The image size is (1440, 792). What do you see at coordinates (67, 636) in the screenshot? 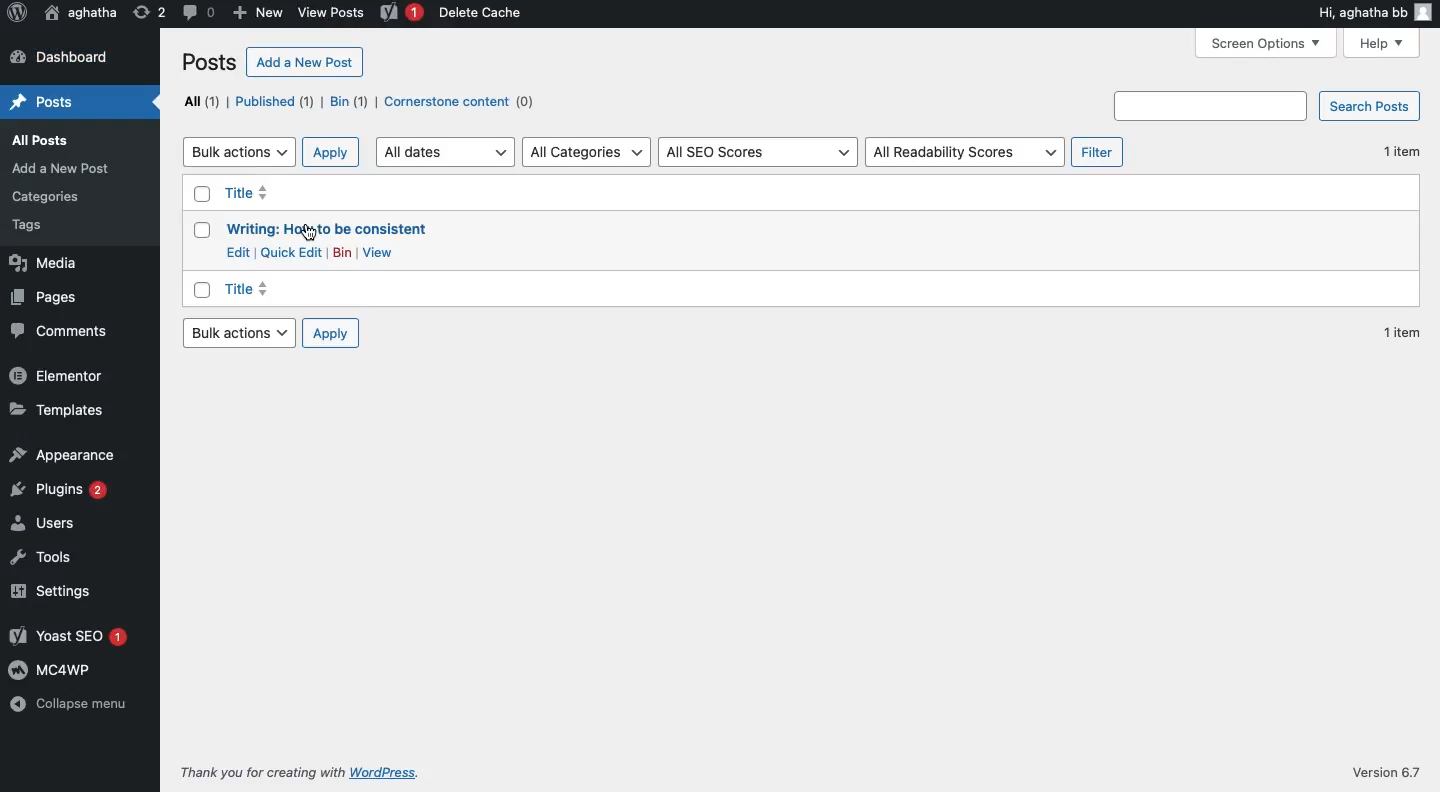
I see `Yoast SEO` at bounding box center [67, 636].